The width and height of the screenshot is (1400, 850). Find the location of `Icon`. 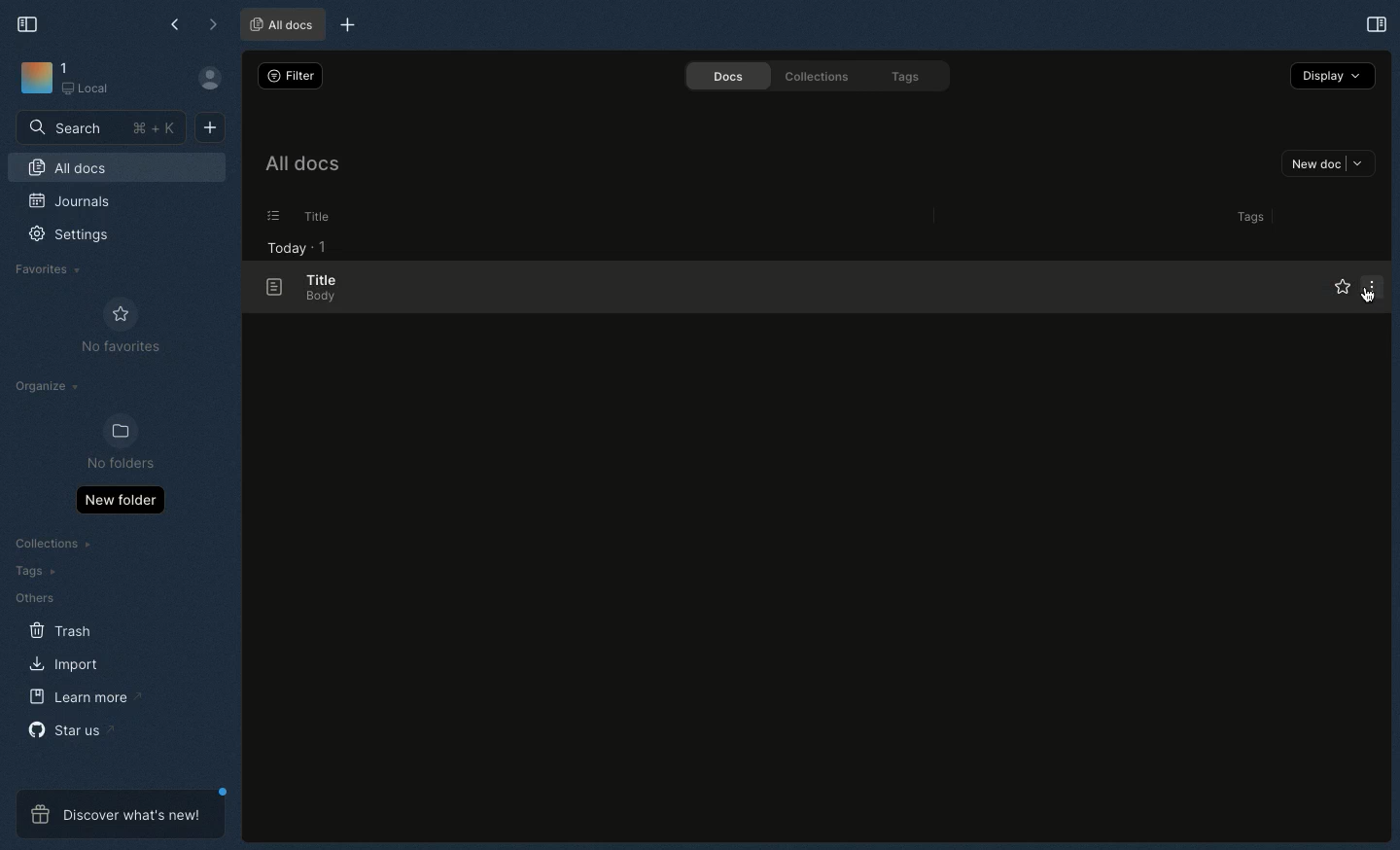

Icon is located at coordinates (35, 79).